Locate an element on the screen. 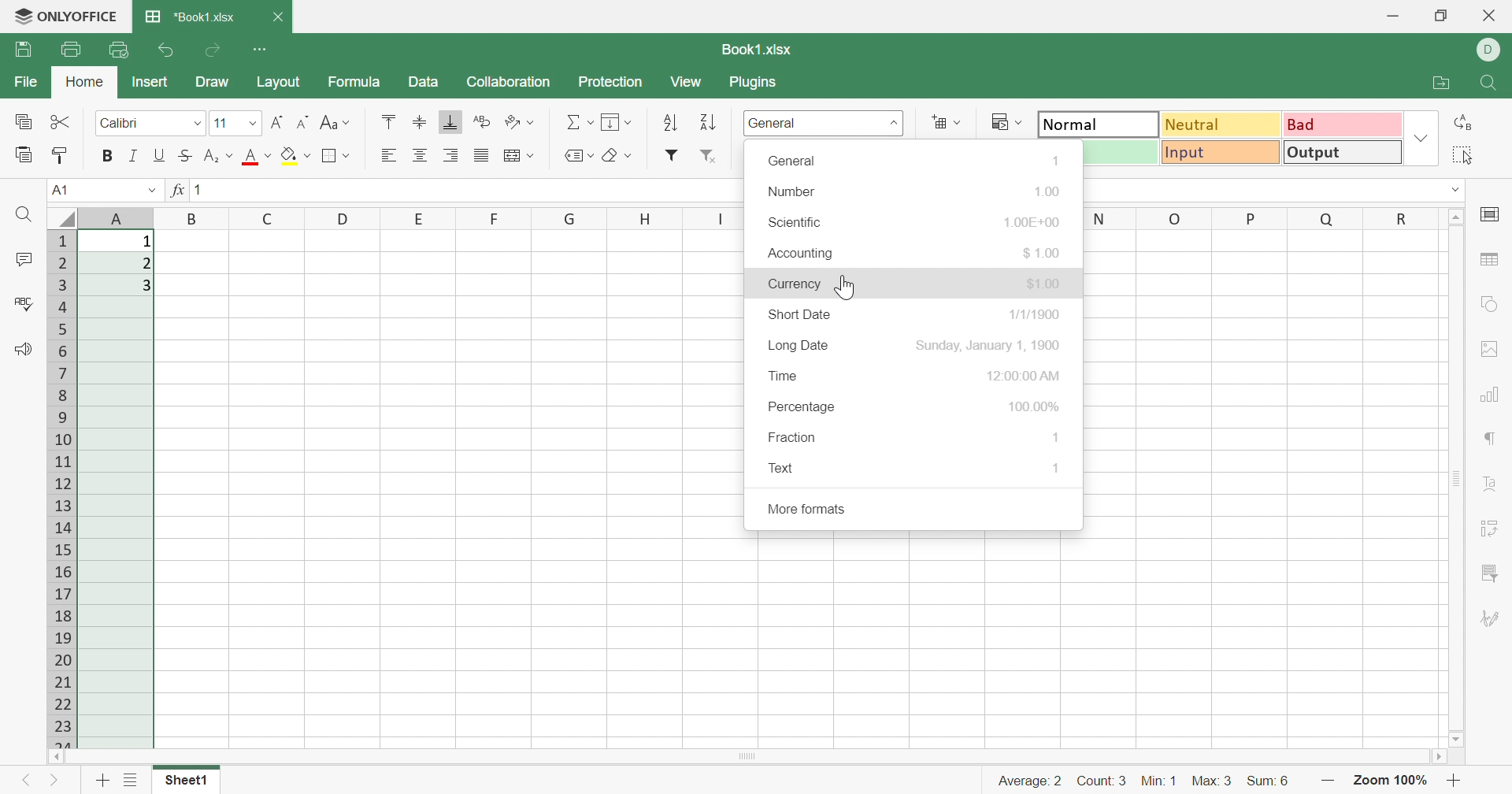 This screenshot has height=794, width=1512. Plugins is located at coordinates (752, 82).